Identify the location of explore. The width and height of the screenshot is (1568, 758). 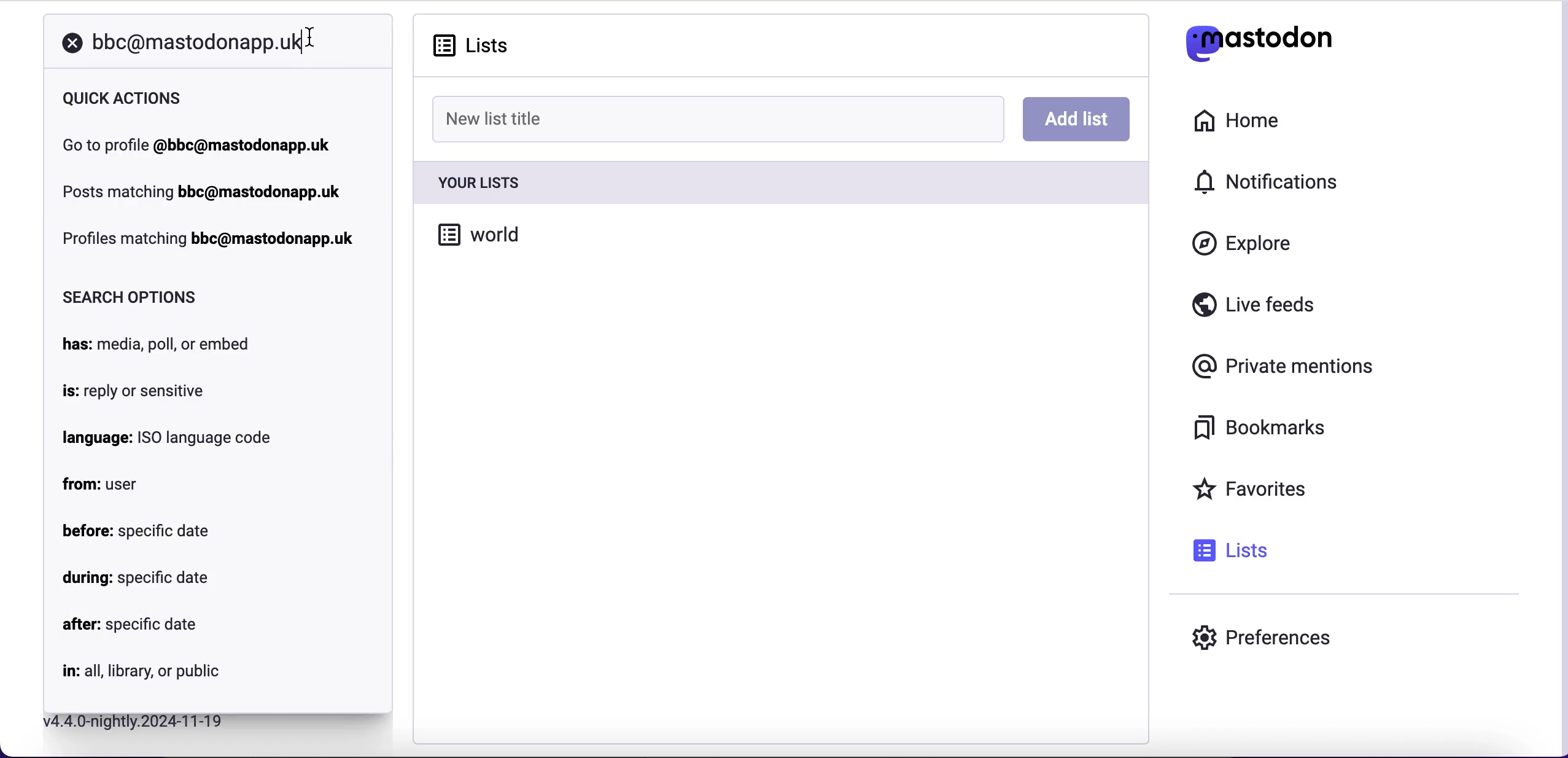
(1254, 244).